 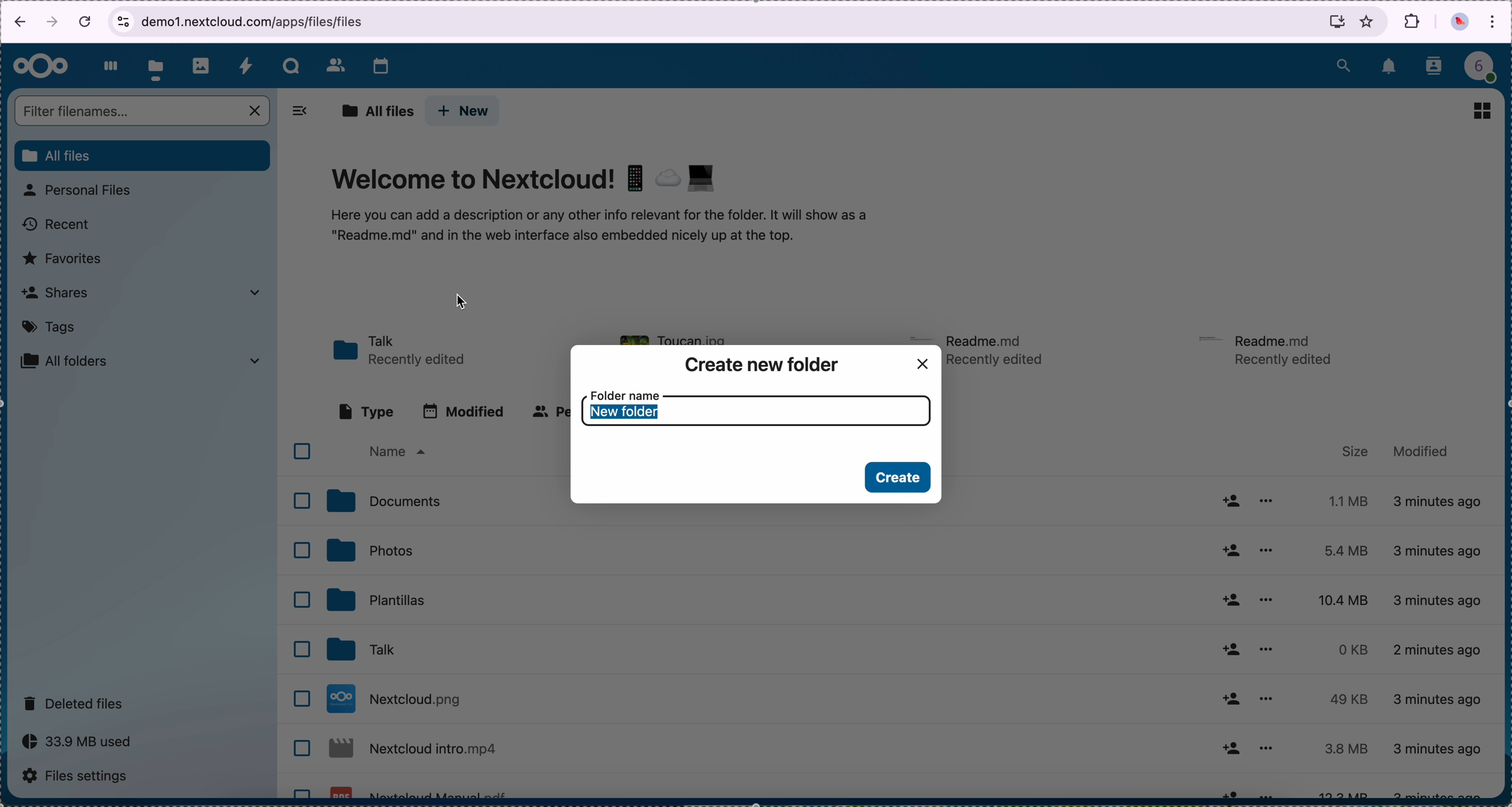 I want to click on type, so click(x=367, y=412).